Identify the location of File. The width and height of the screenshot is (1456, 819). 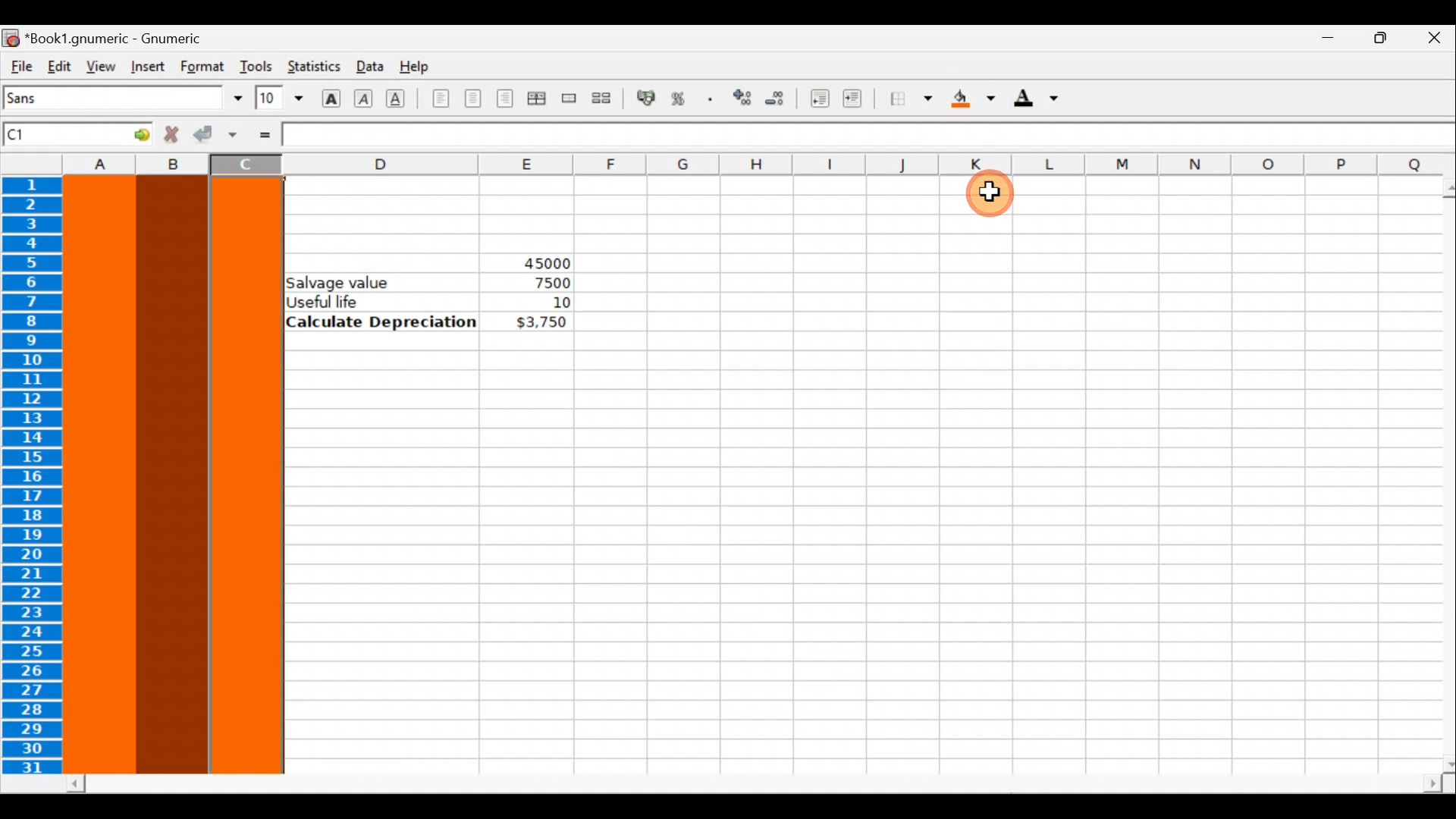
(20, 67).